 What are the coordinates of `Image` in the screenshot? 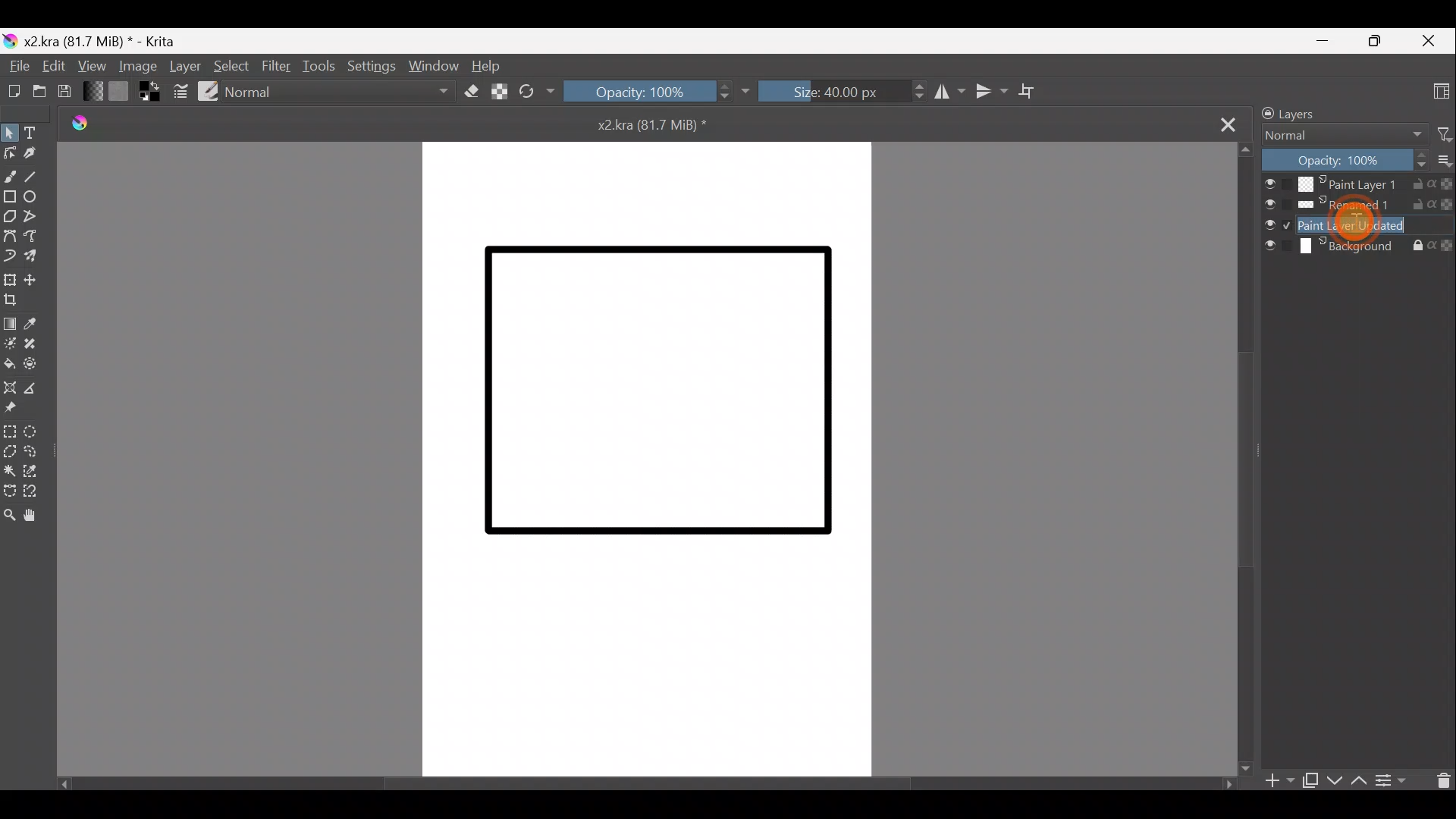 It's located at (134, 65).